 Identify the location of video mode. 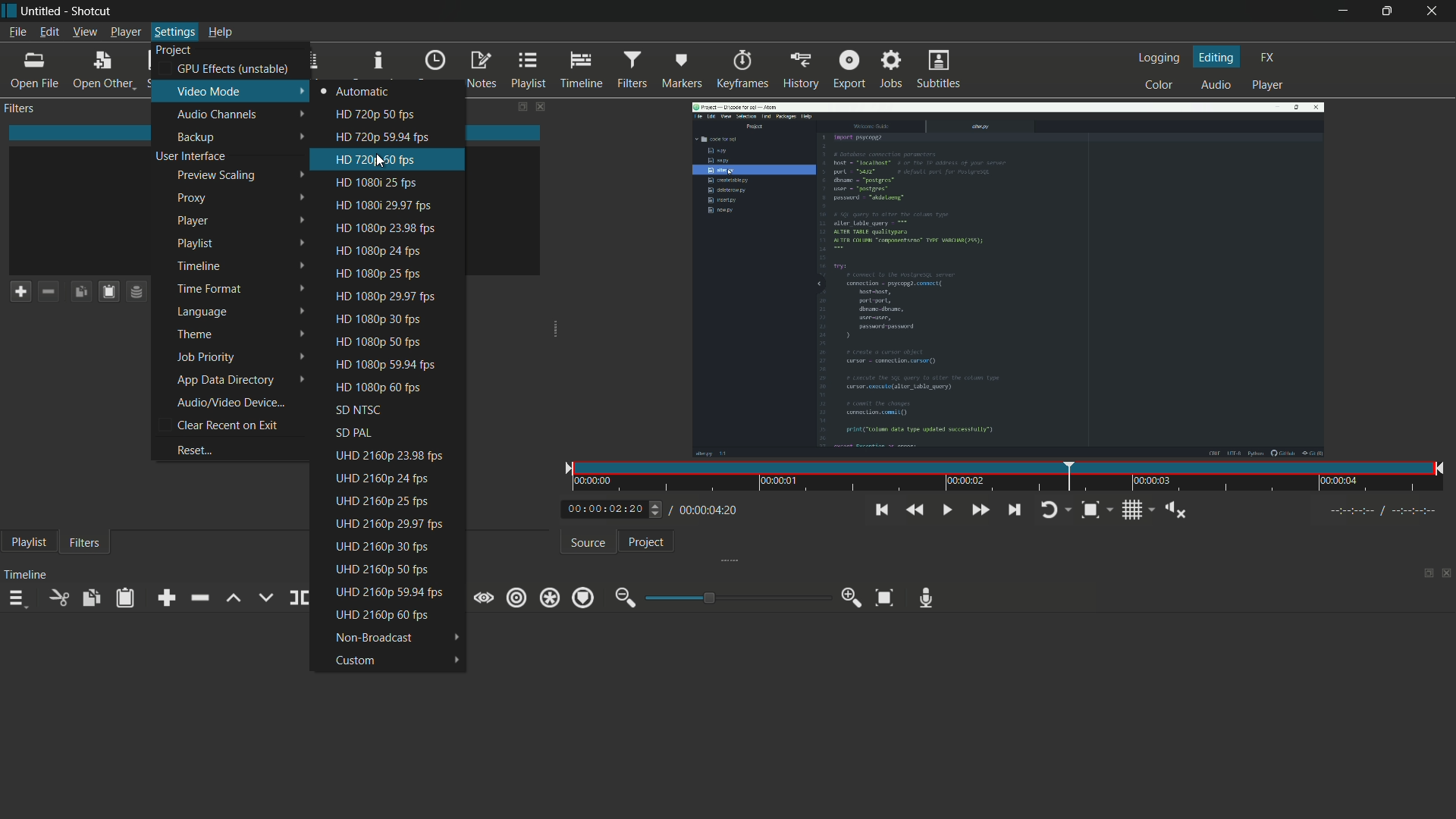
(231, 91).